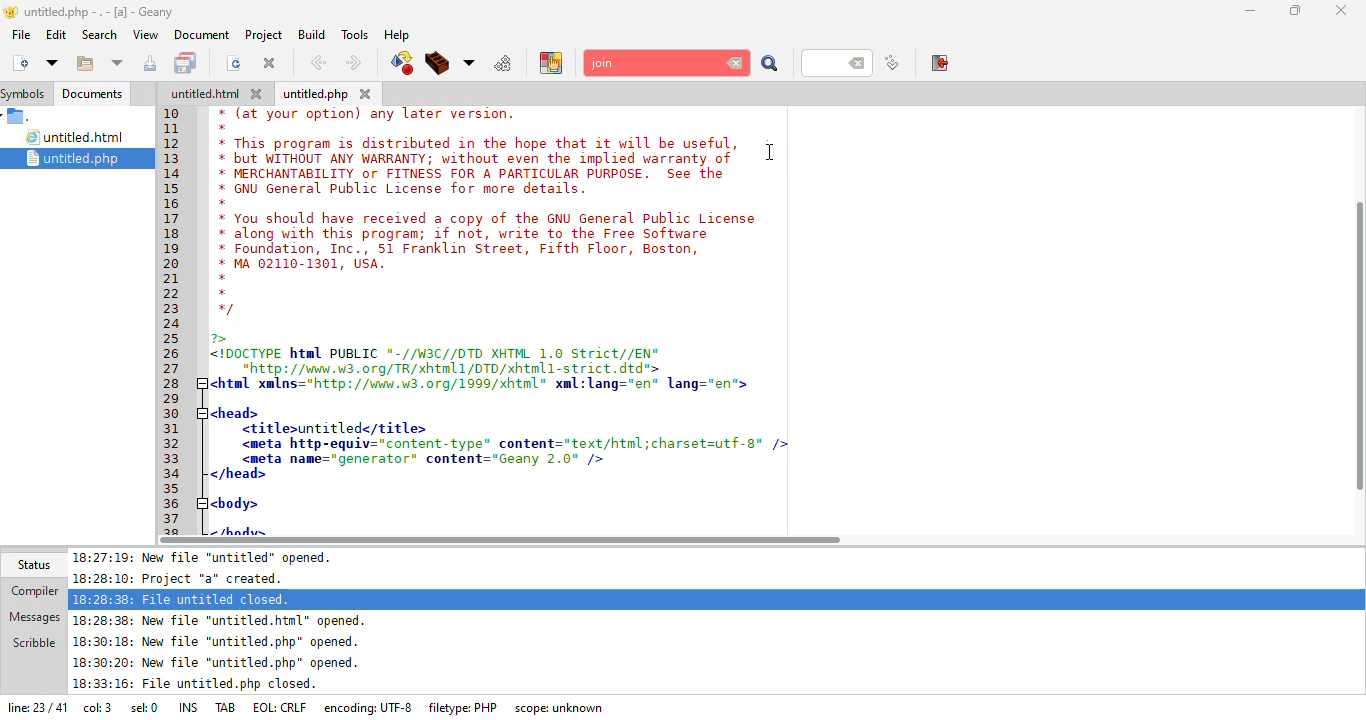 The height and width of the screenshot is (720, 1366). What do you see at coordinates (85, 158) in the screenshot?
I see `untitled.php` at bounding box center [85, 158].